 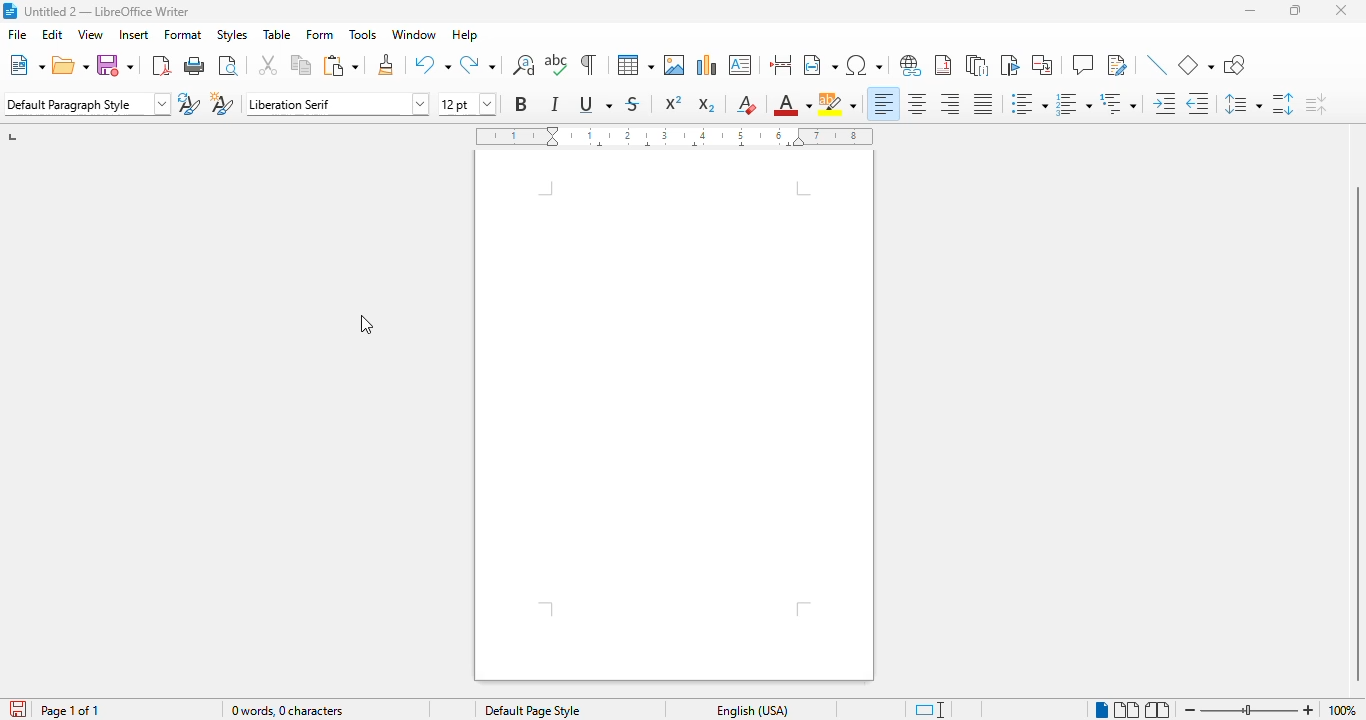 What do you see at coordinates (1250, 10) in the screenshot?
I see `minimize` at bounding box center [1250, 10].